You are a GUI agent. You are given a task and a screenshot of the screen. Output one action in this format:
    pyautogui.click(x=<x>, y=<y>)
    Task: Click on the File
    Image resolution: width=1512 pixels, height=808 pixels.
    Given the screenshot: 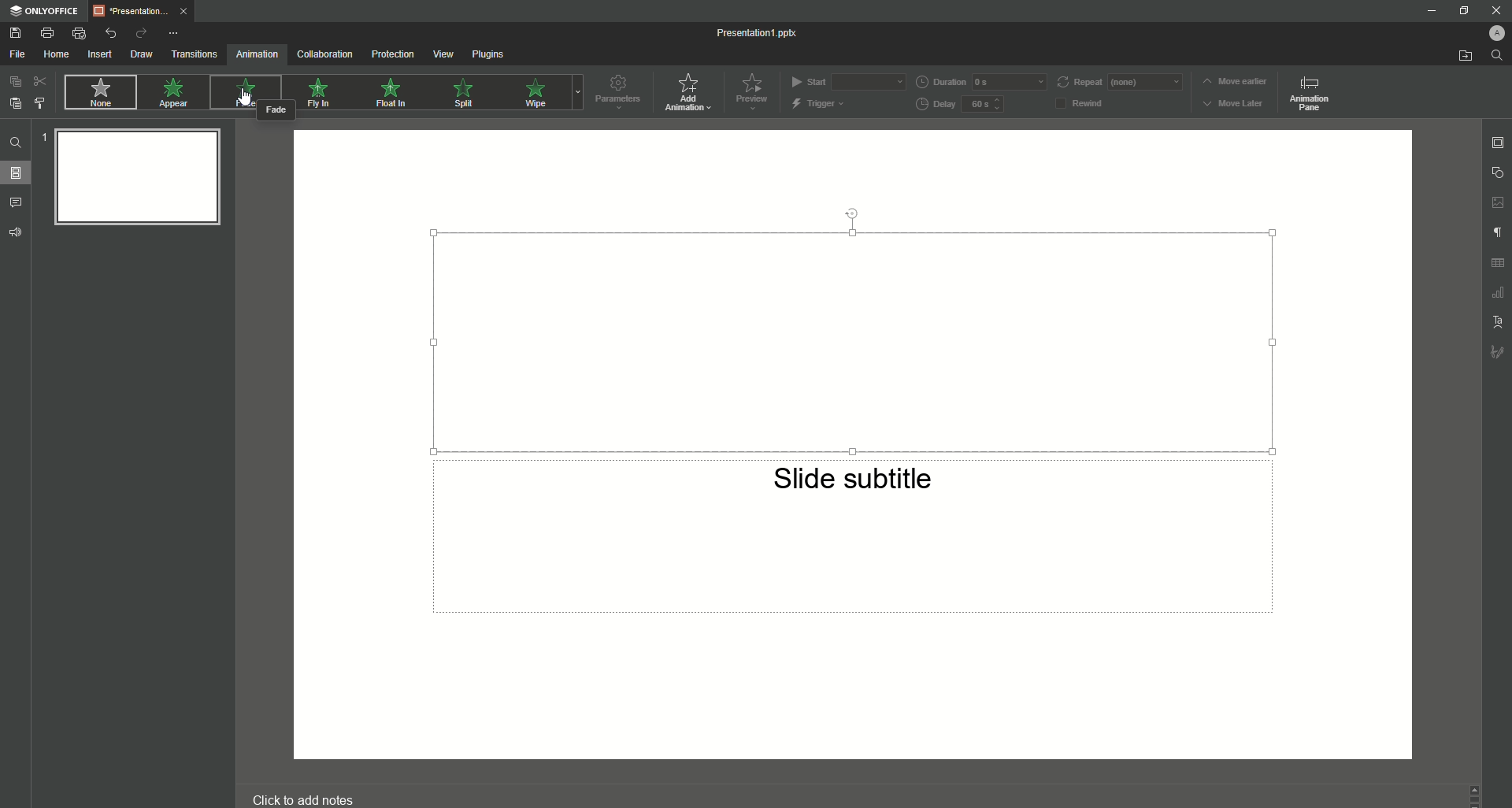 What is the action you would take?
    pyautogui.click(x=15, y=54)
    